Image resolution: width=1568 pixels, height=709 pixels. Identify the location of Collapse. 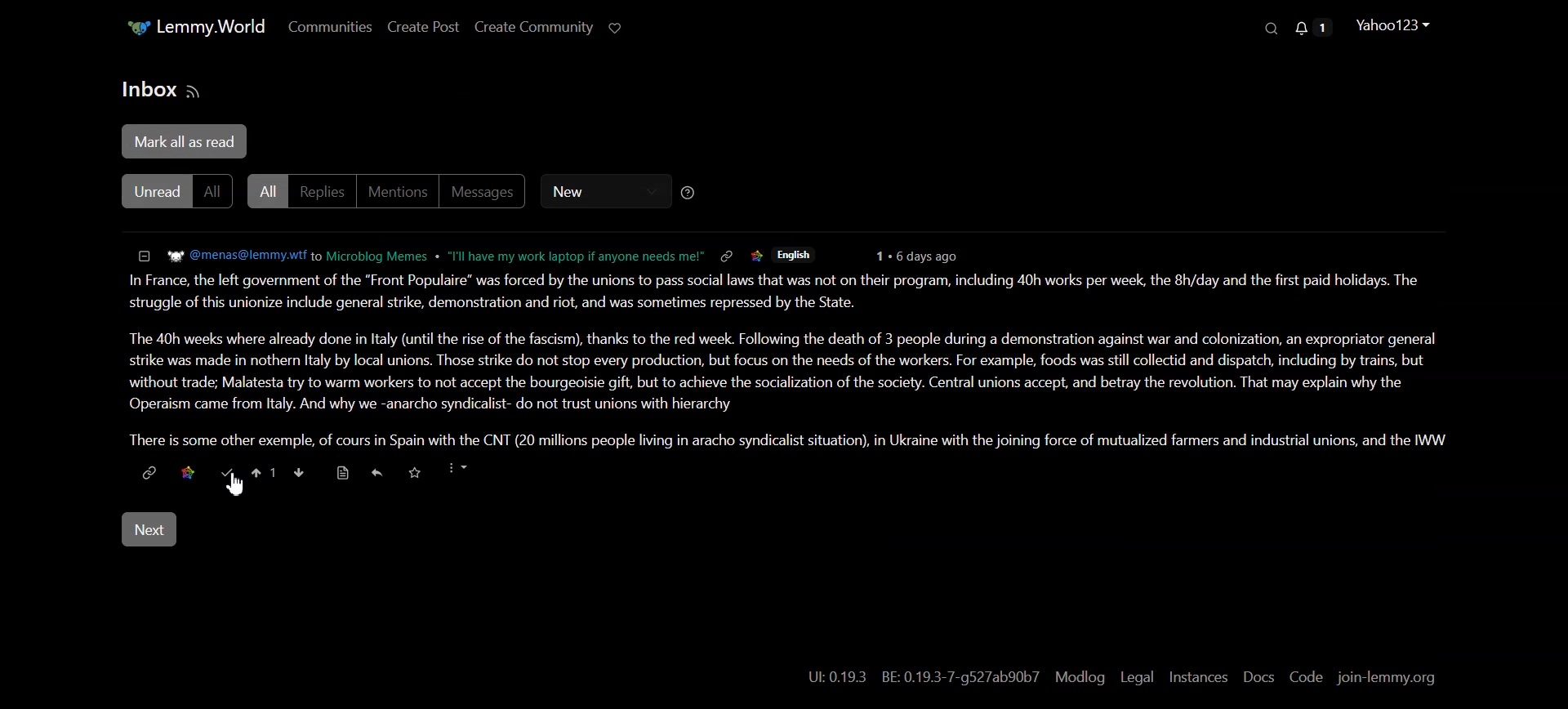
(143, 256).